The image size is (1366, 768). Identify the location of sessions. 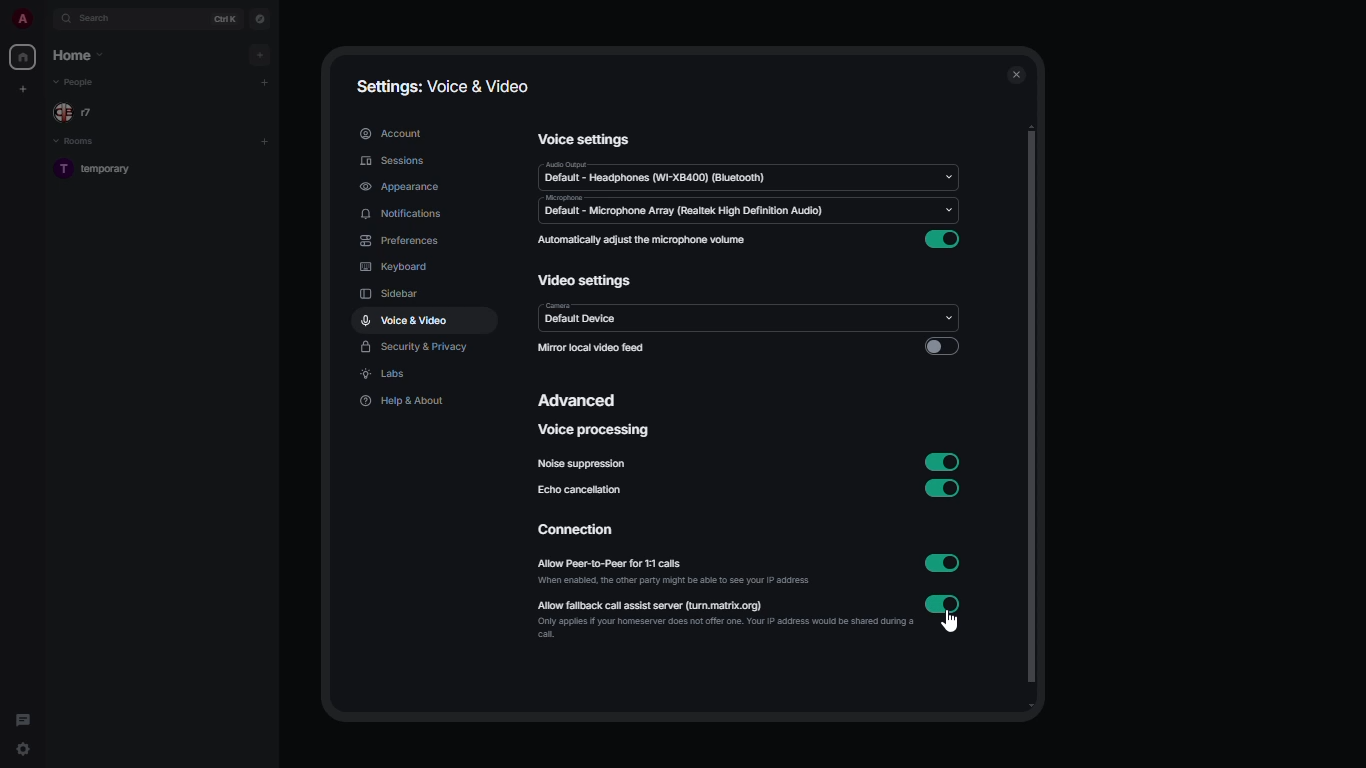
(396, 160).